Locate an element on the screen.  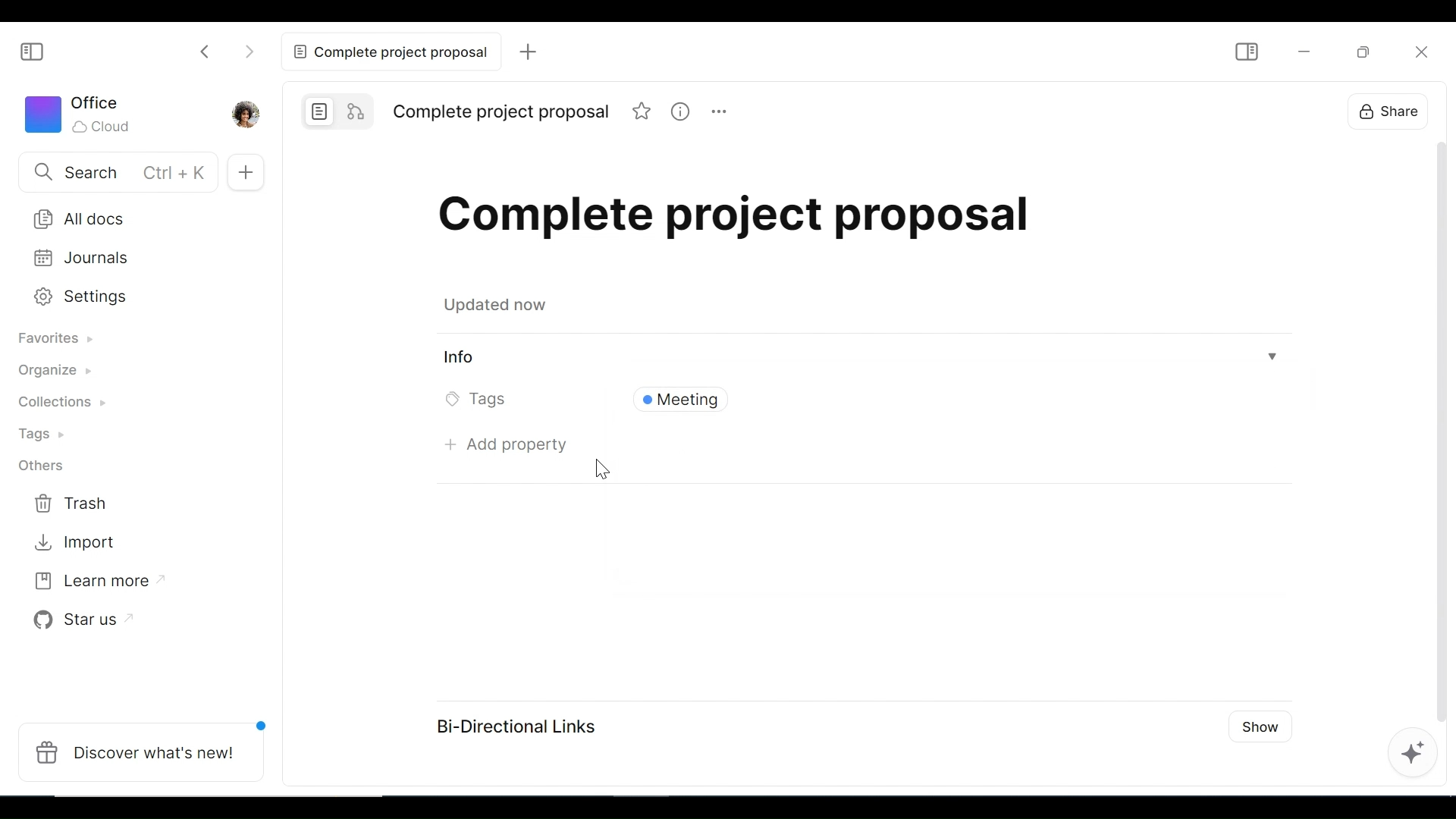
Page is located at coordinates (319, 111).